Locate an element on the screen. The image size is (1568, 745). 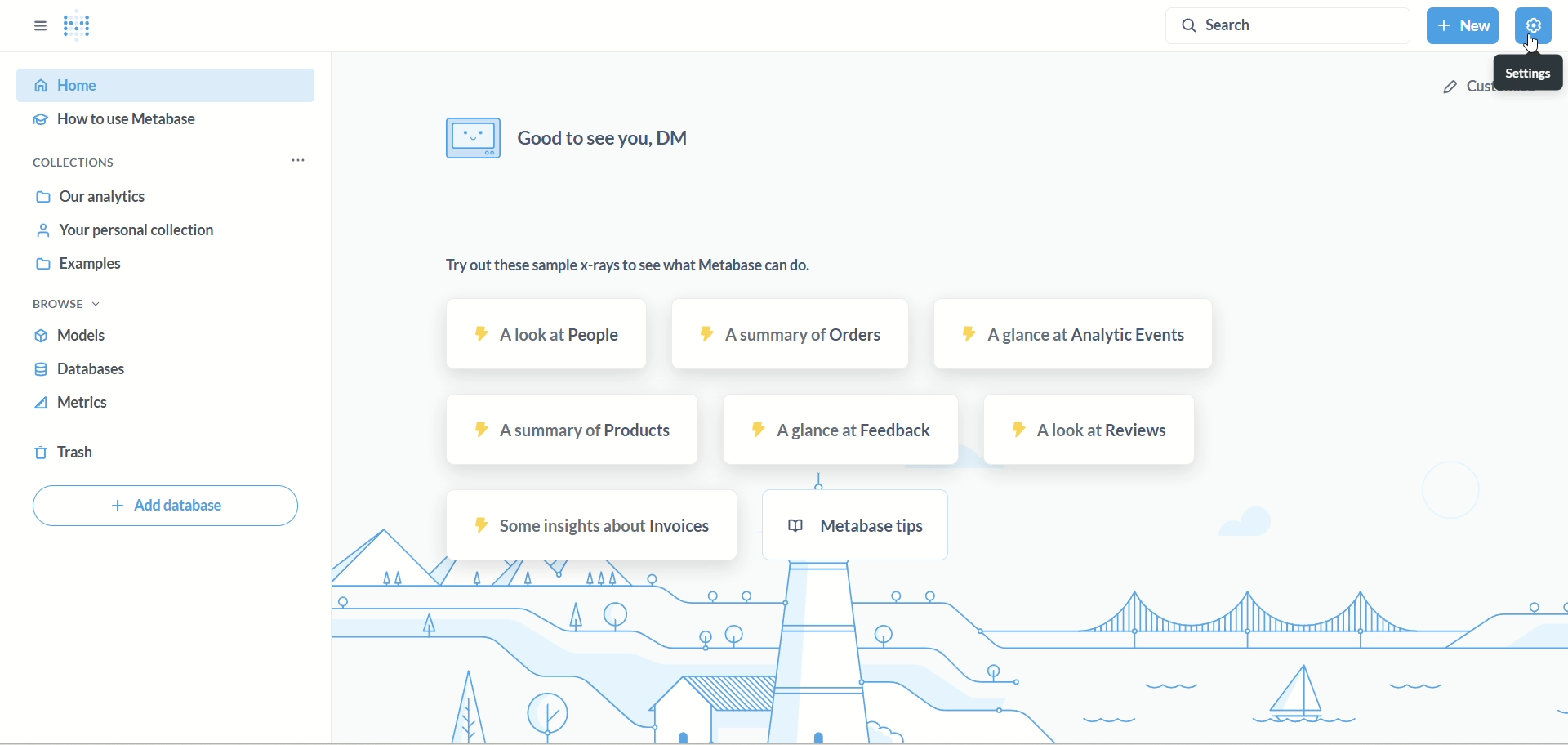
metabase tips is located at coordinates (863, 528).